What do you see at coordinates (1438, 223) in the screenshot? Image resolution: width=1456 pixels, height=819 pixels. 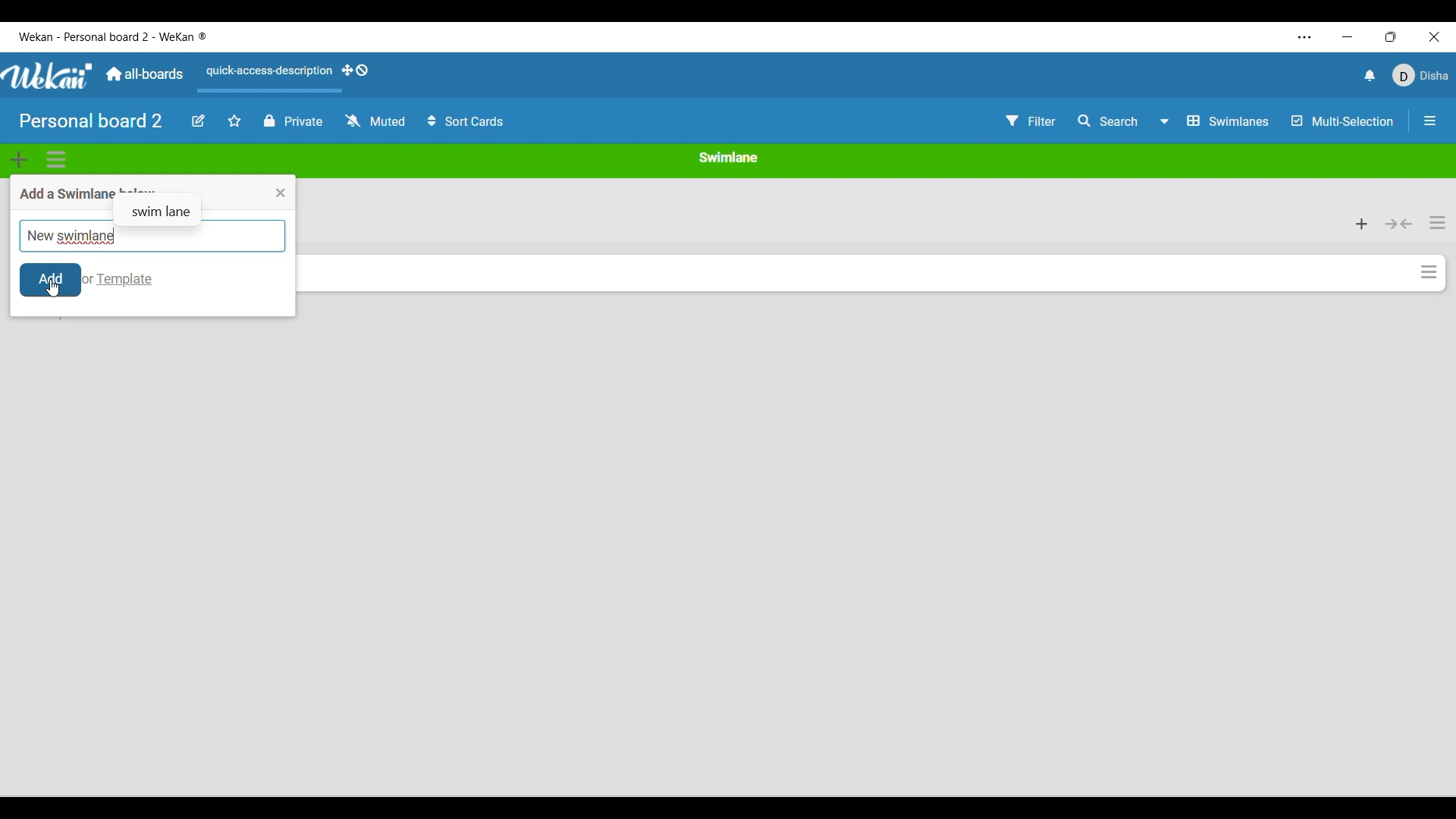 I see `List actions` at bounding box center [1438, 223].